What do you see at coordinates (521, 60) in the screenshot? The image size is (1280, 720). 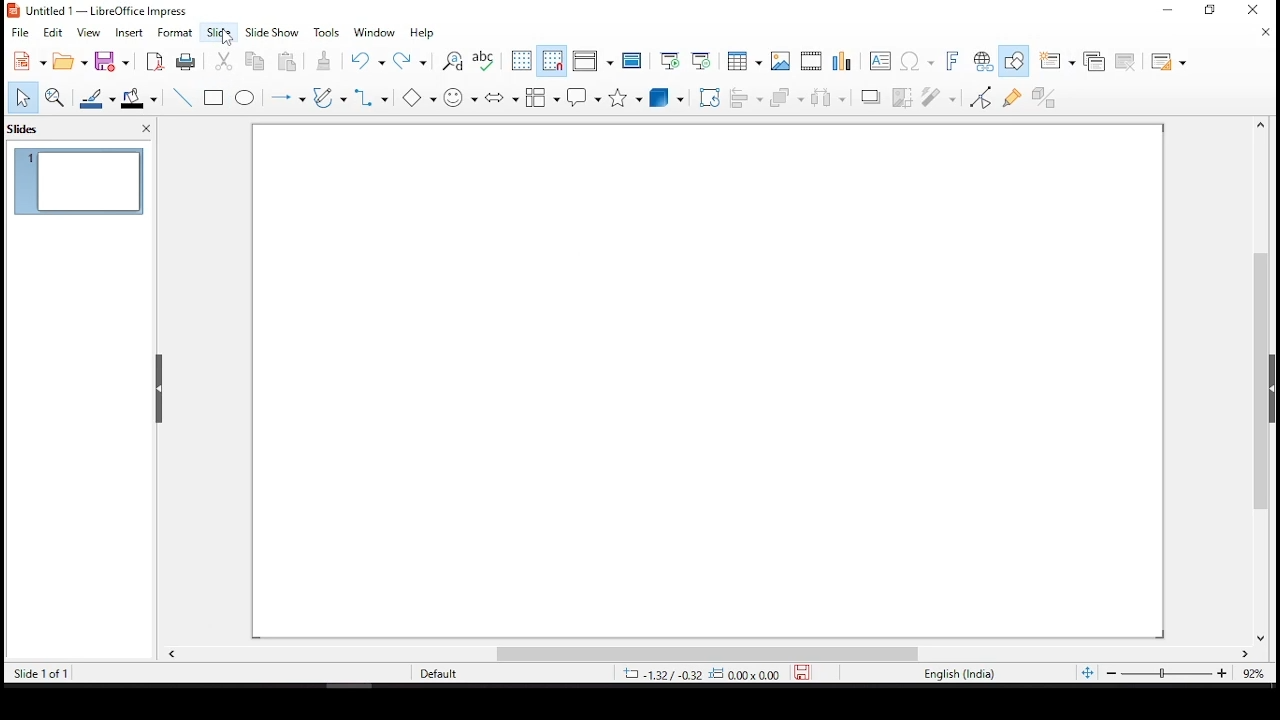 I see `display grid` at bounding box center [521, 60].